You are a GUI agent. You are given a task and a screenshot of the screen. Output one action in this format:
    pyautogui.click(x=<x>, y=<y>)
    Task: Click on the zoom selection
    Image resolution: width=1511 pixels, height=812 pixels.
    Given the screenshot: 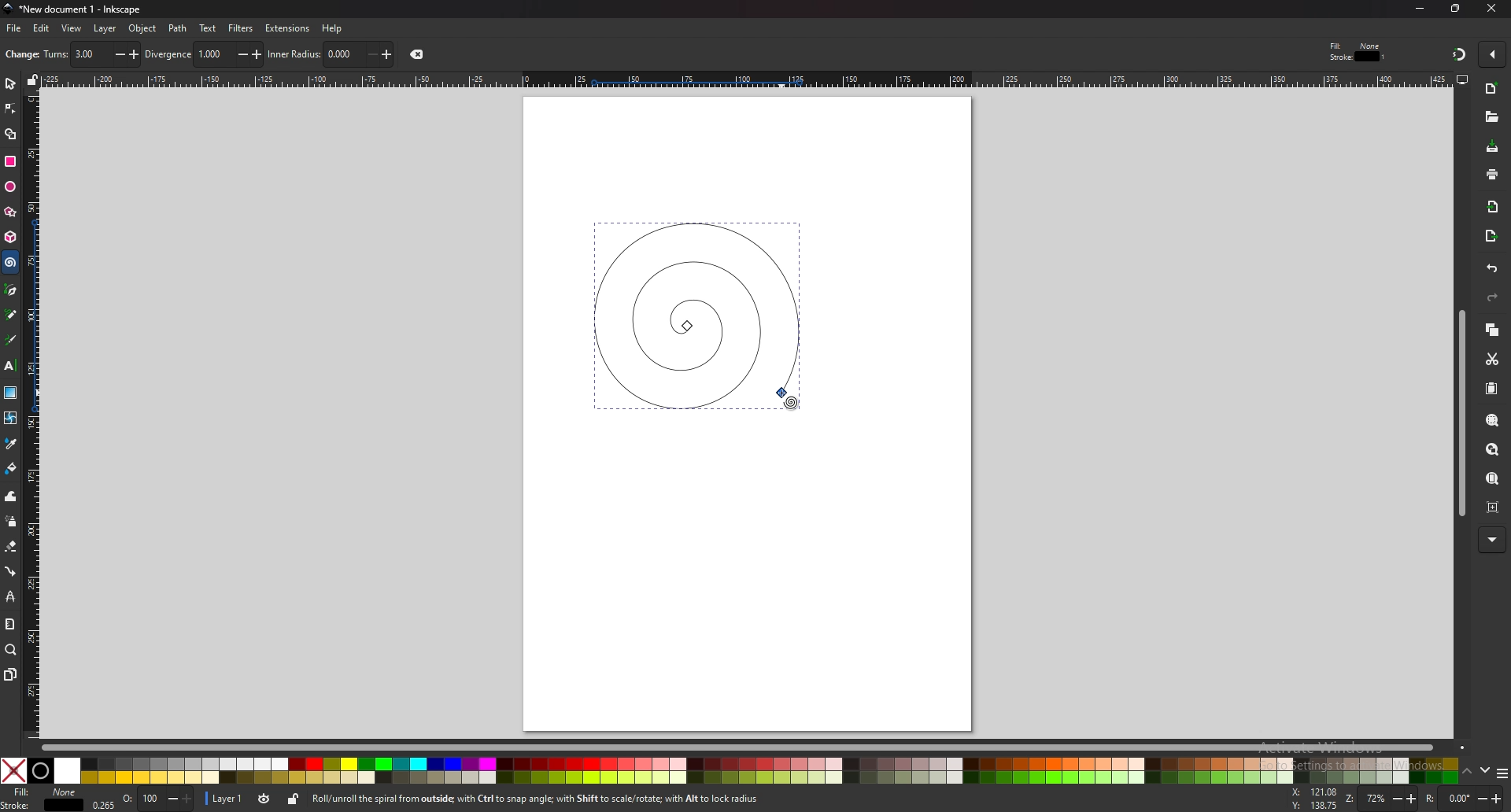 What is the action you would take?
    pyautogui.click(x=1491, y=421)
    